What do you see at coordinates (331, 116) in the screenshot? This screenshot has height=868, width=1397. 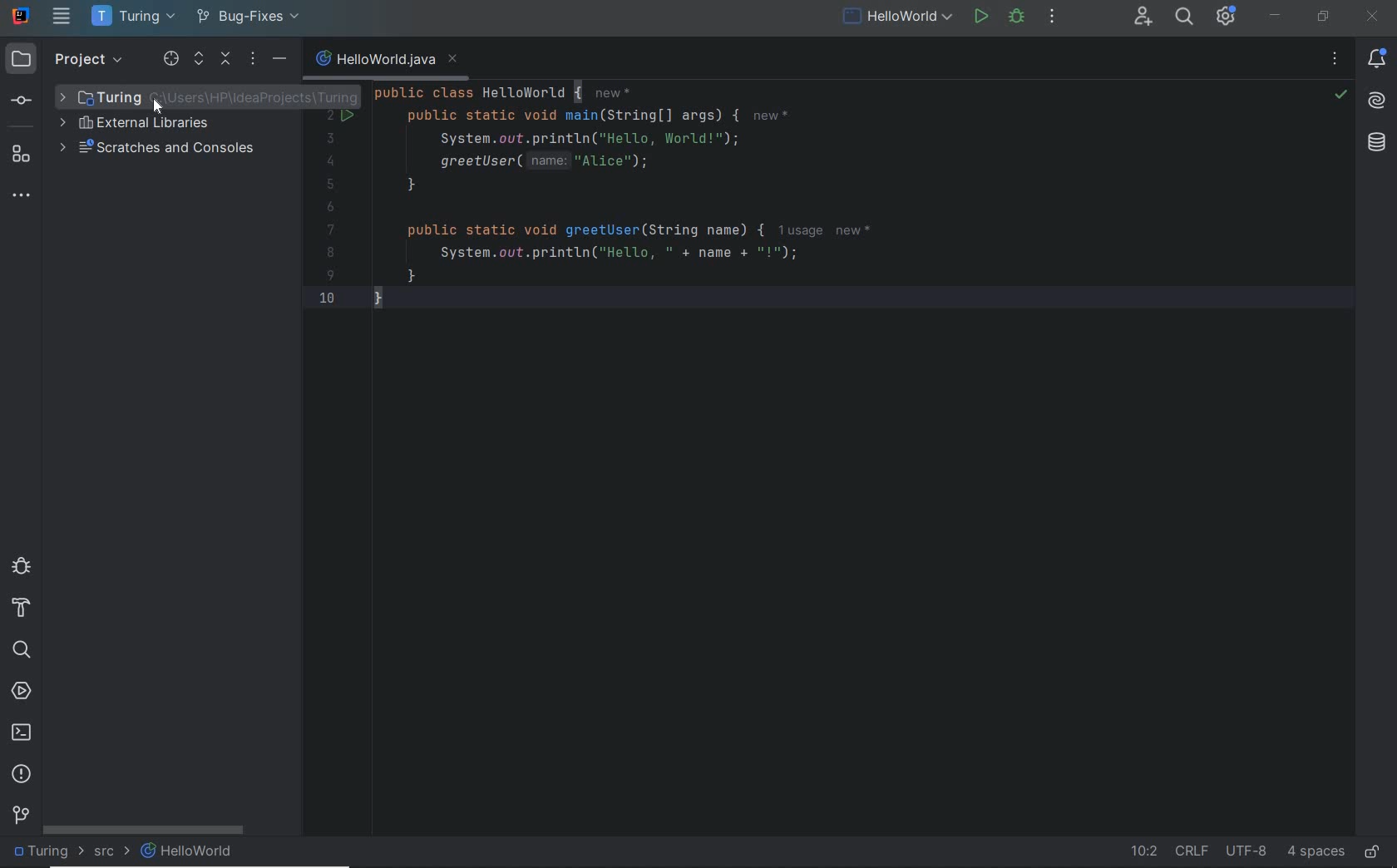 I see `2` at bounding box center [331, 116].